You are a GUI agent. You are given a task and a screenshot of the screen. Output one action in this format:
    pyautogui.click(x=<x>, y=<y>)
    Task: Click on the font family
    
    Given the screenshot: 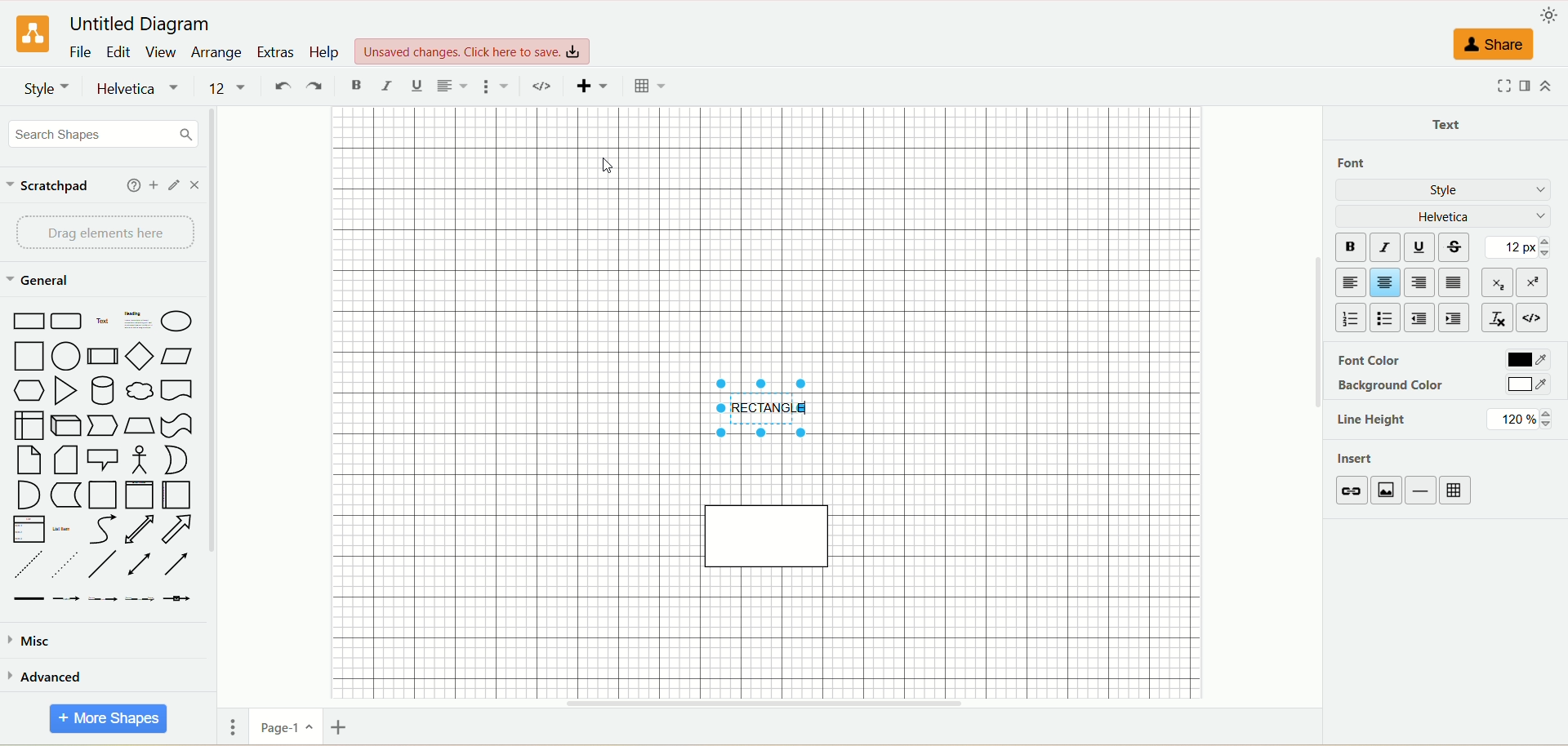 What is the action you would take?
    pyautogui.click(x=141, y=89)
    